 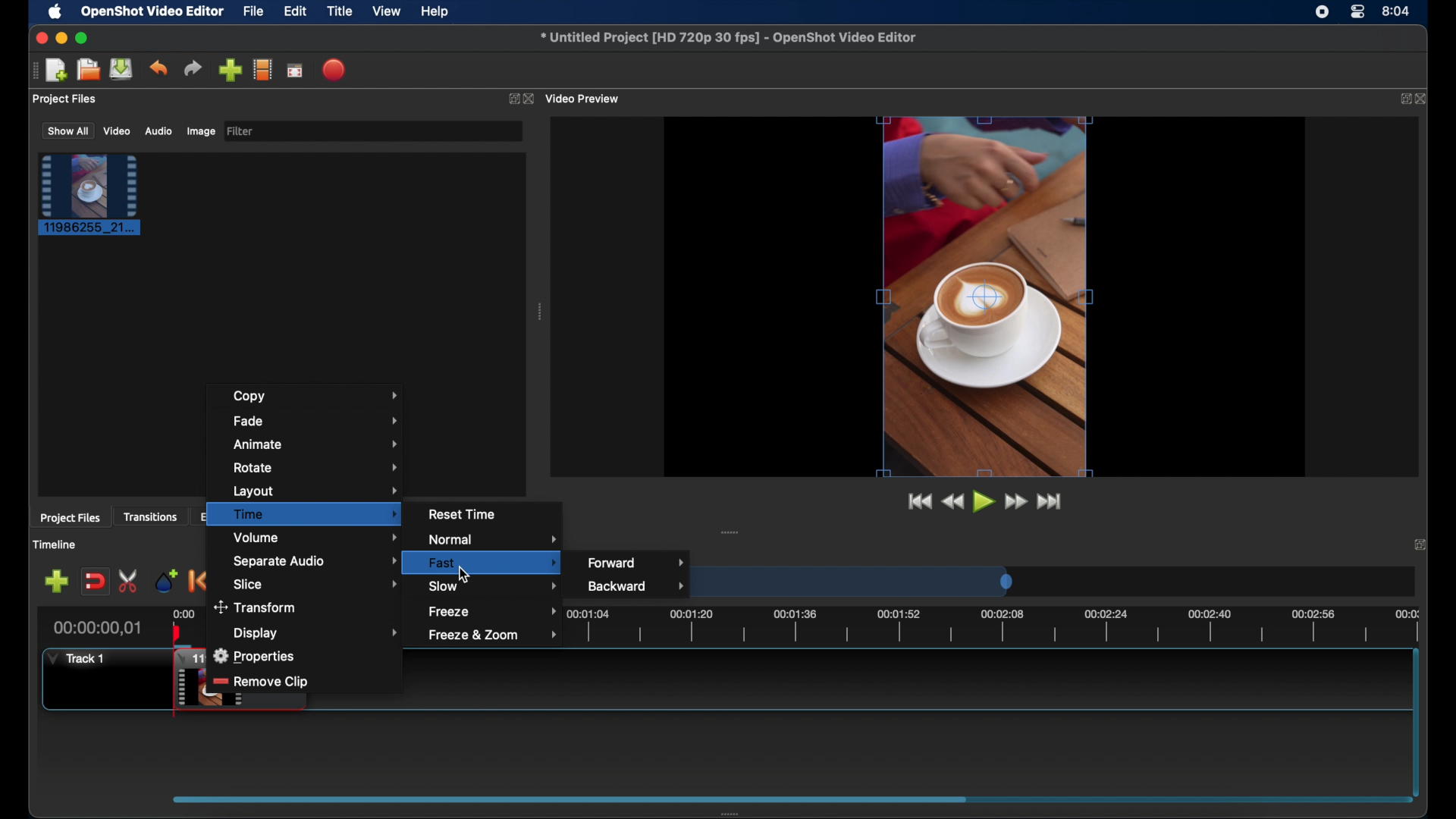 What do you see at coordinates (317, 584) in the screenshot?
I see `slice menu` at bounding box center [317, 584].